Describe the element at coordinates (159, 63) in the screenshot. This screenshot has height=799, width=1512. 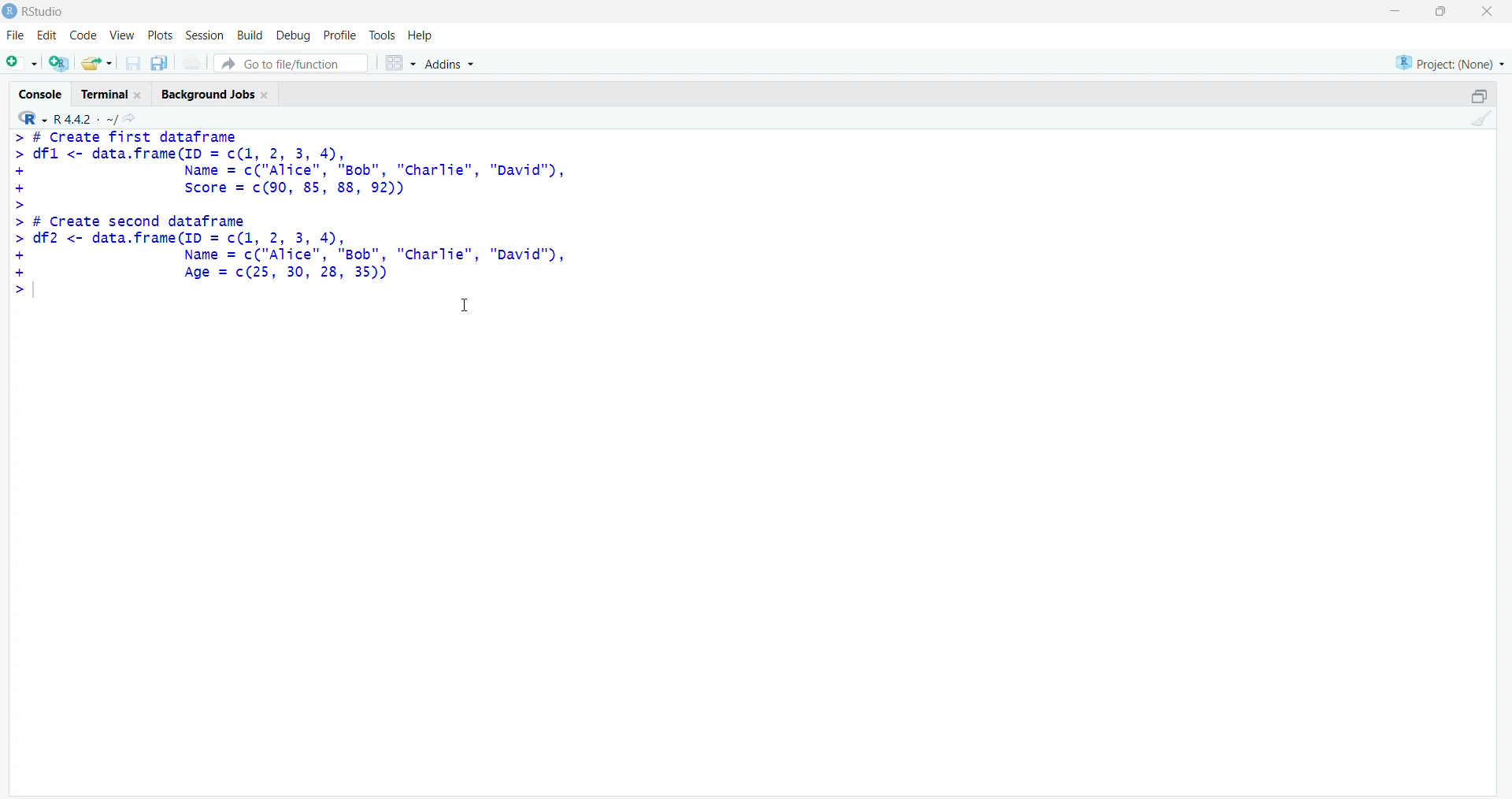
I see `copy` at that location.